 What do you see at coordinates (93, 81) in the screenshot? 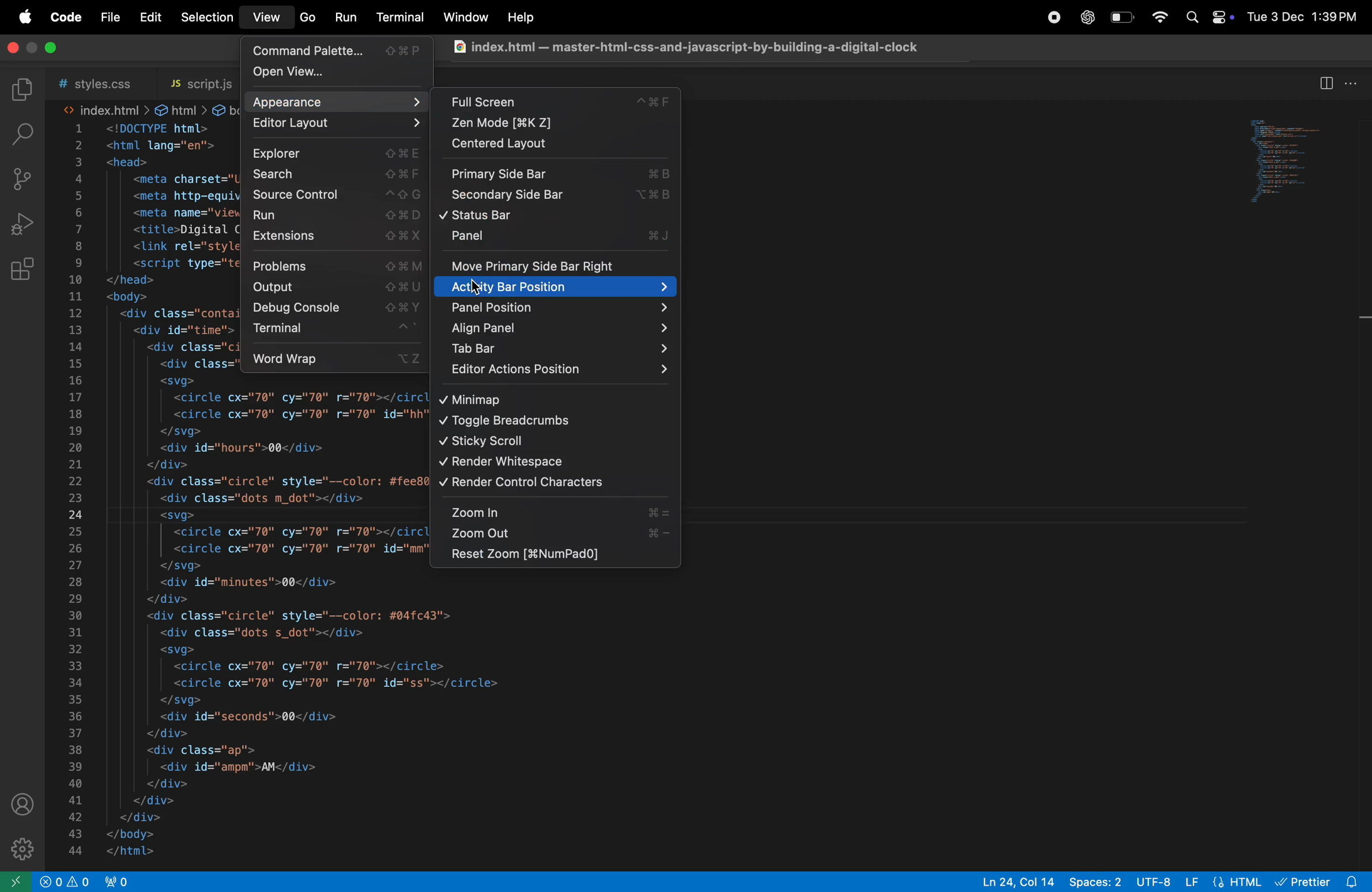
I see `style .css` at bounding box center [93, 81].